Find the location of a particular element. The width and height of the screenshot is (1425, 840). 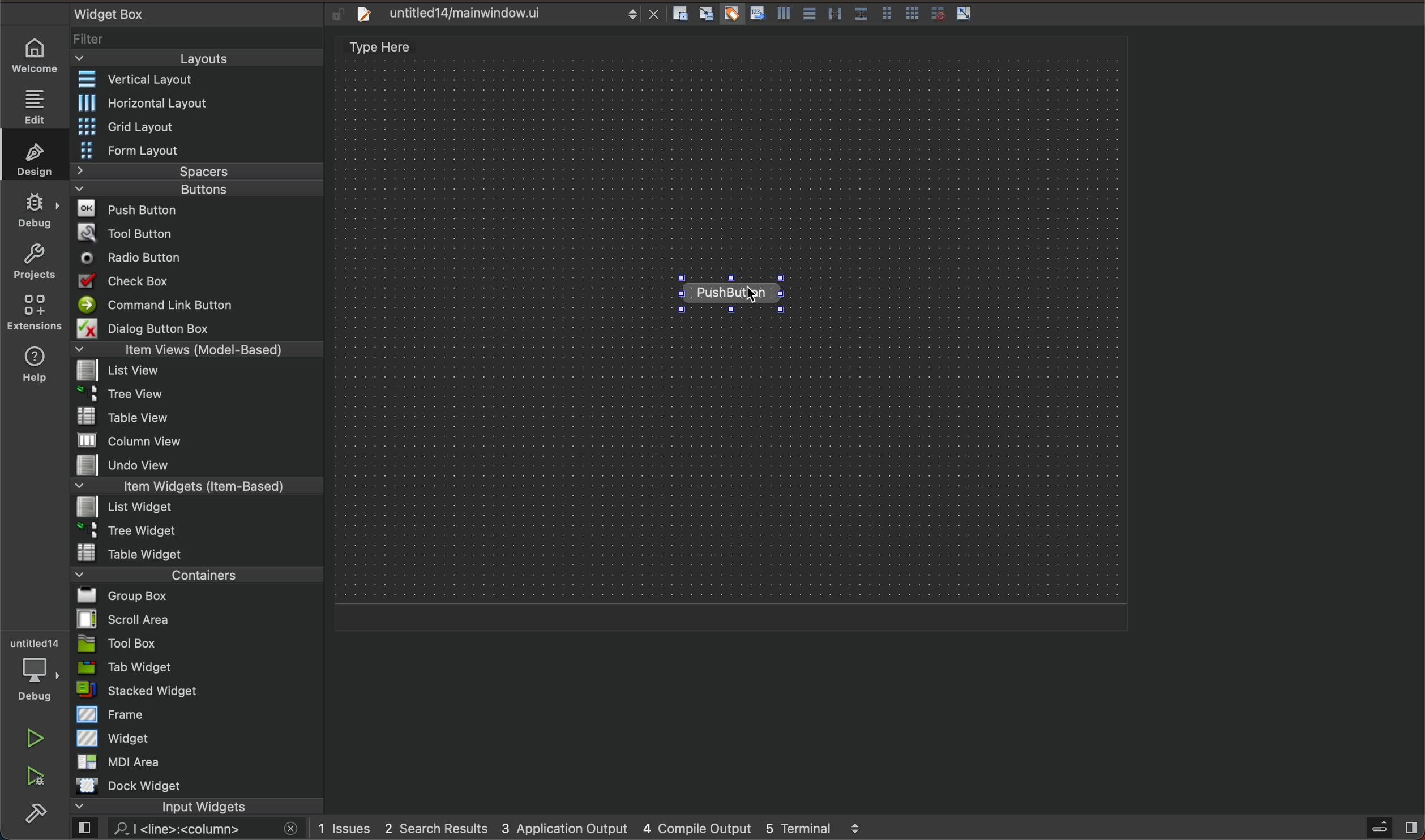

compile output is located at coordinates (697, 828).